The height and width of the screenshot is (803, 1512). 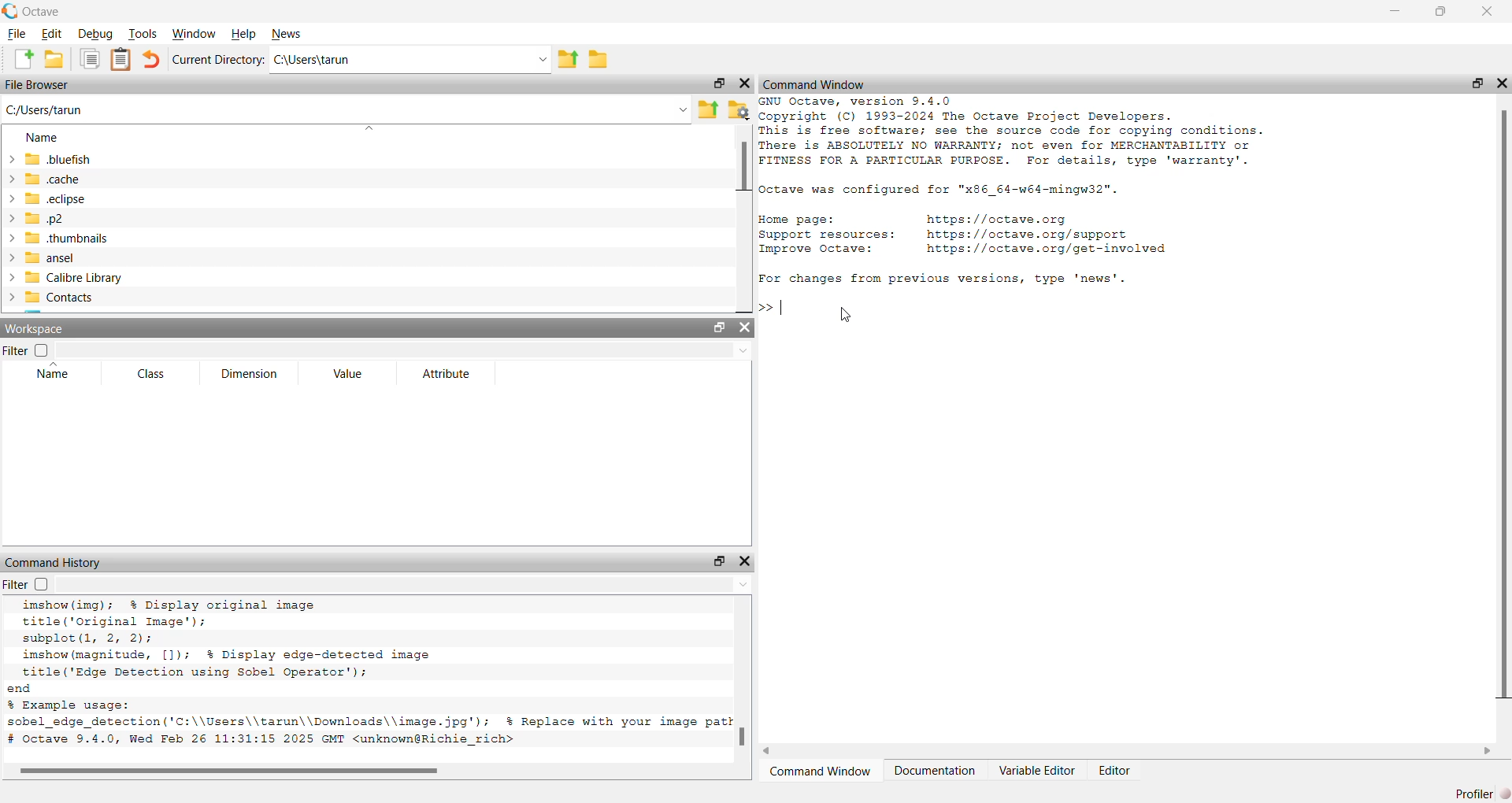 What do you see at coordinates (55, 376) in the screenshot?
I see `Name` at bounding box center [55, 376].